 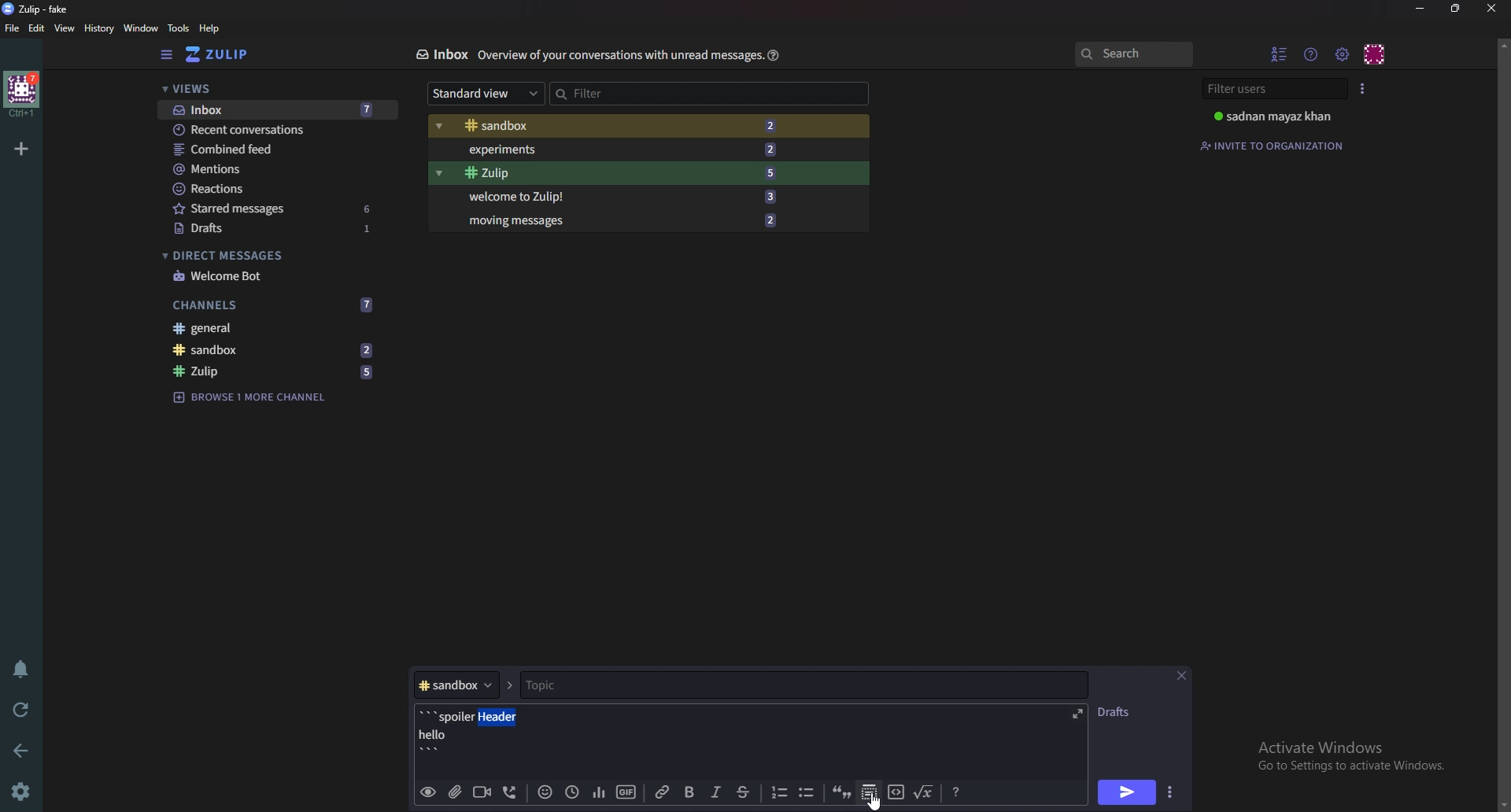 I want to click on #Sandbox 2, so click(x=276, y=351).